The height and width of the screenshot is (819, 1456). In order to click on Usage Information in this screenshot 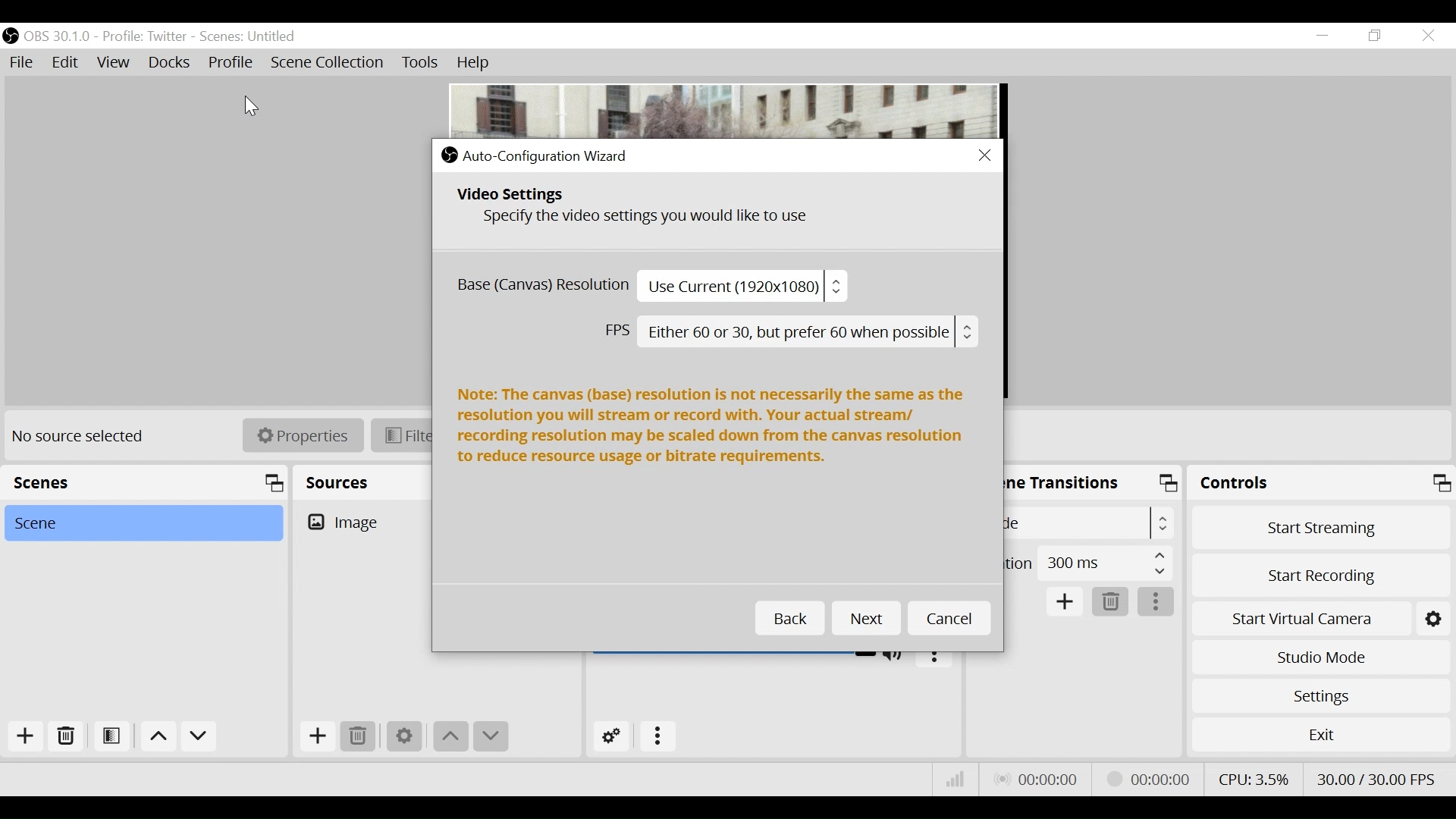, I will do `click(531, 196)`.